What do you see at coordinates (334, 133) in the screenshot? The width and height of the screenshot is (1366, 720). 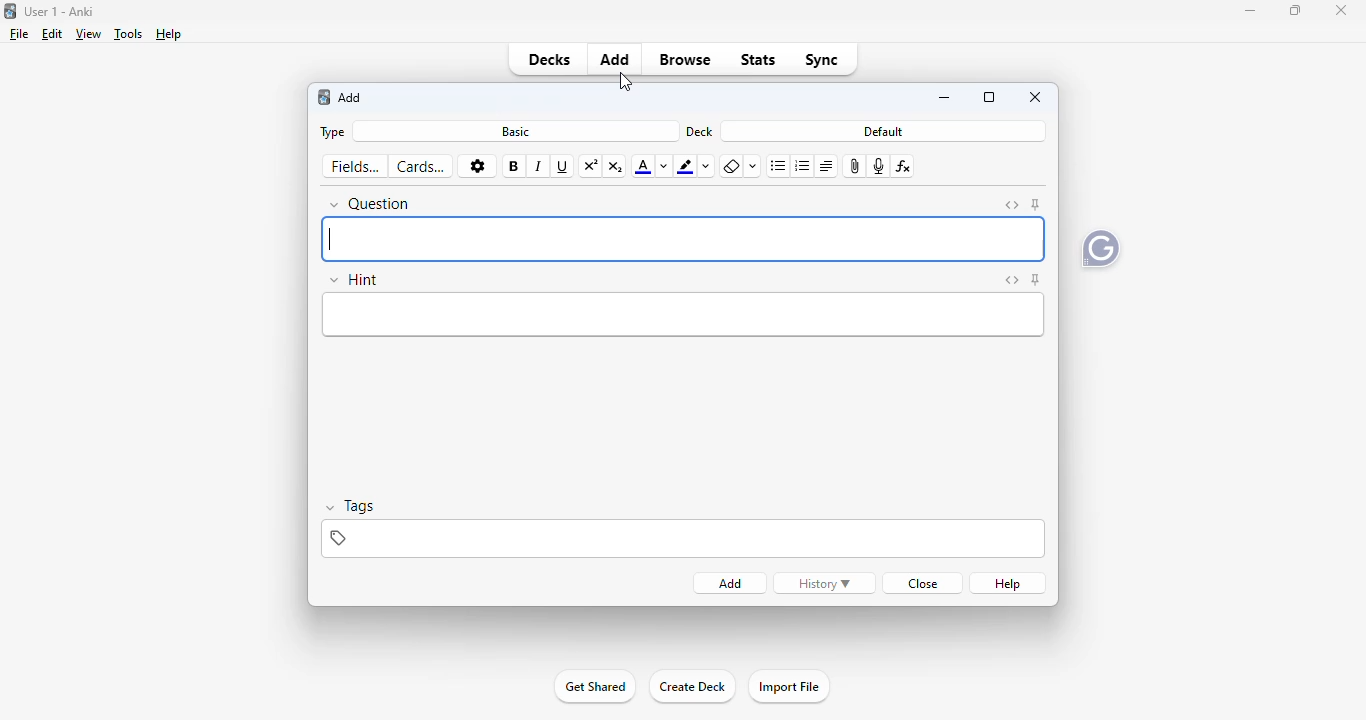 I see `type` at bounding box center [334, 133].